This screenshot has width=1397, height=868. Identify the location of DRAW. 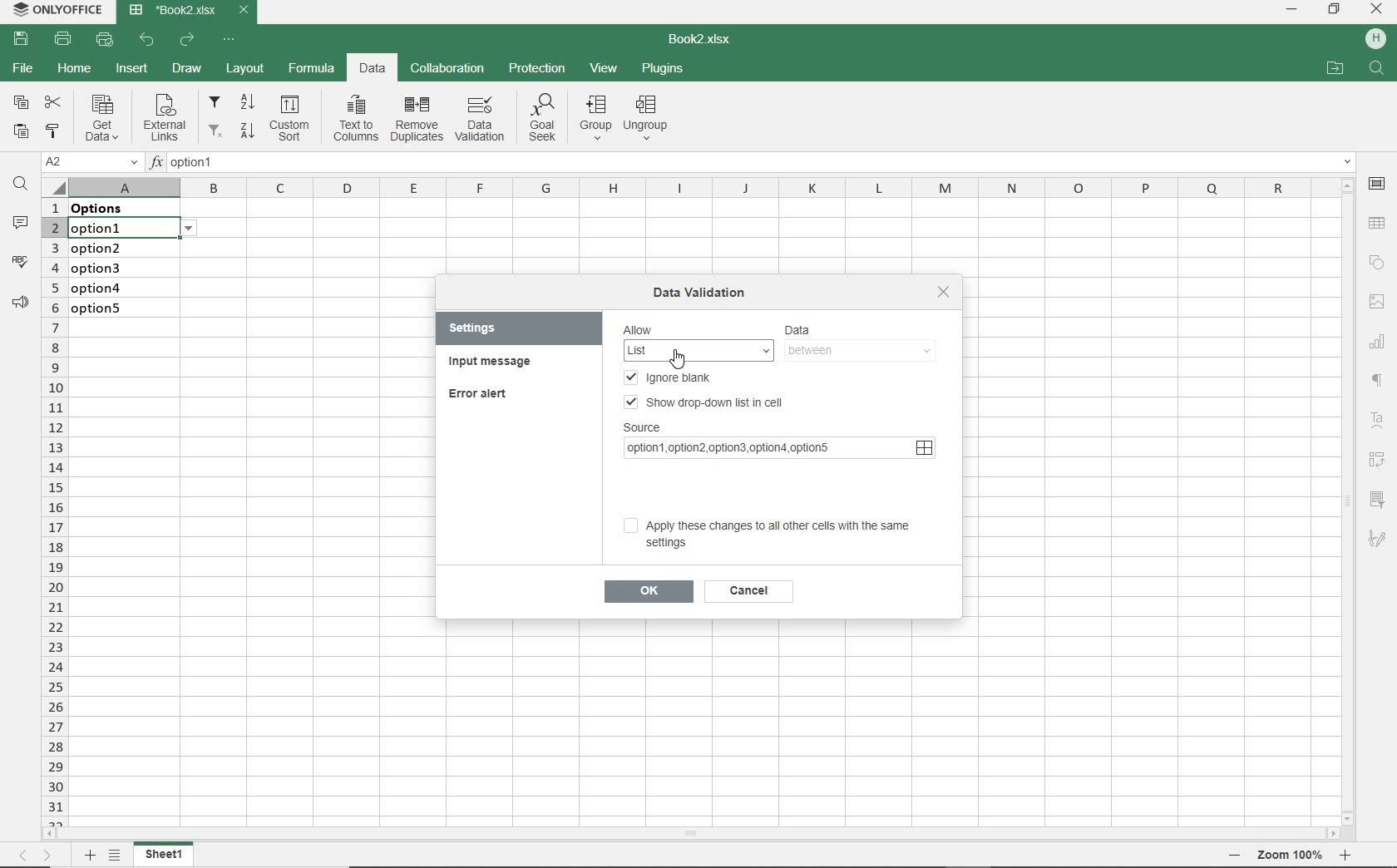
(187, 68).